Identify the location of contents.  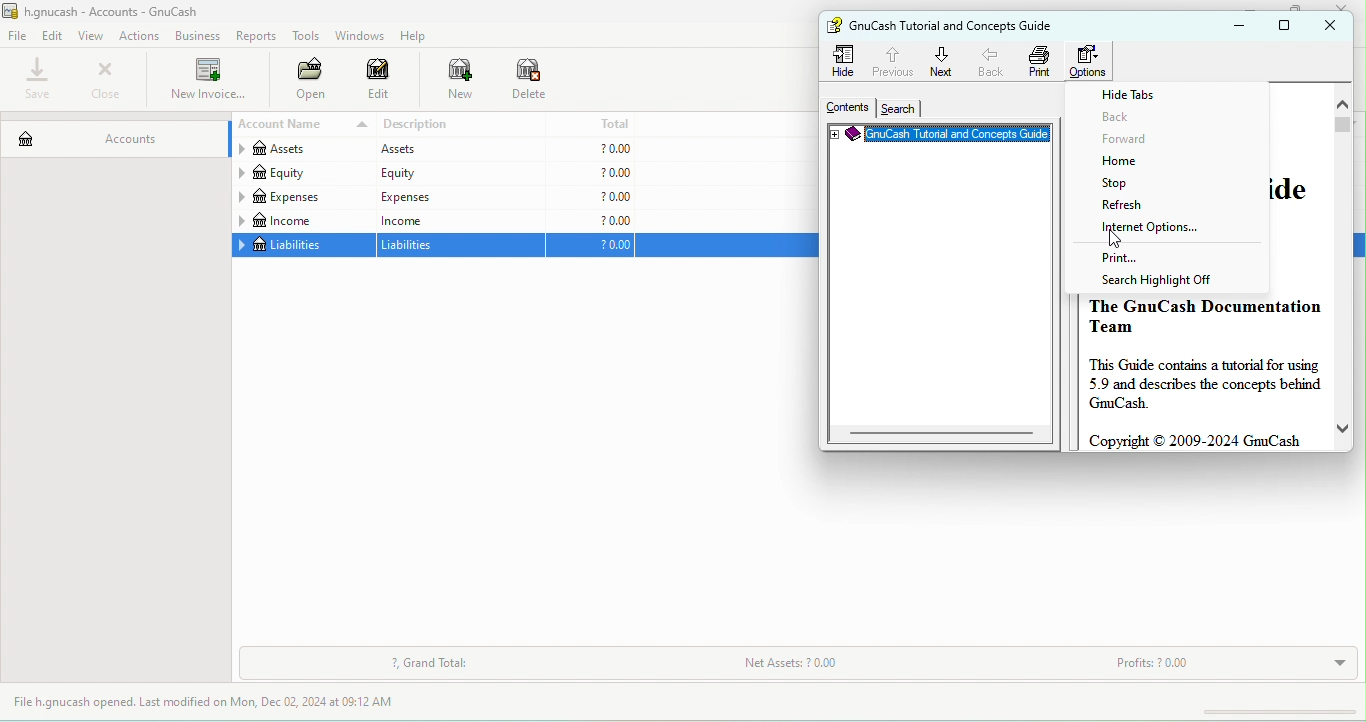
(844, 107).